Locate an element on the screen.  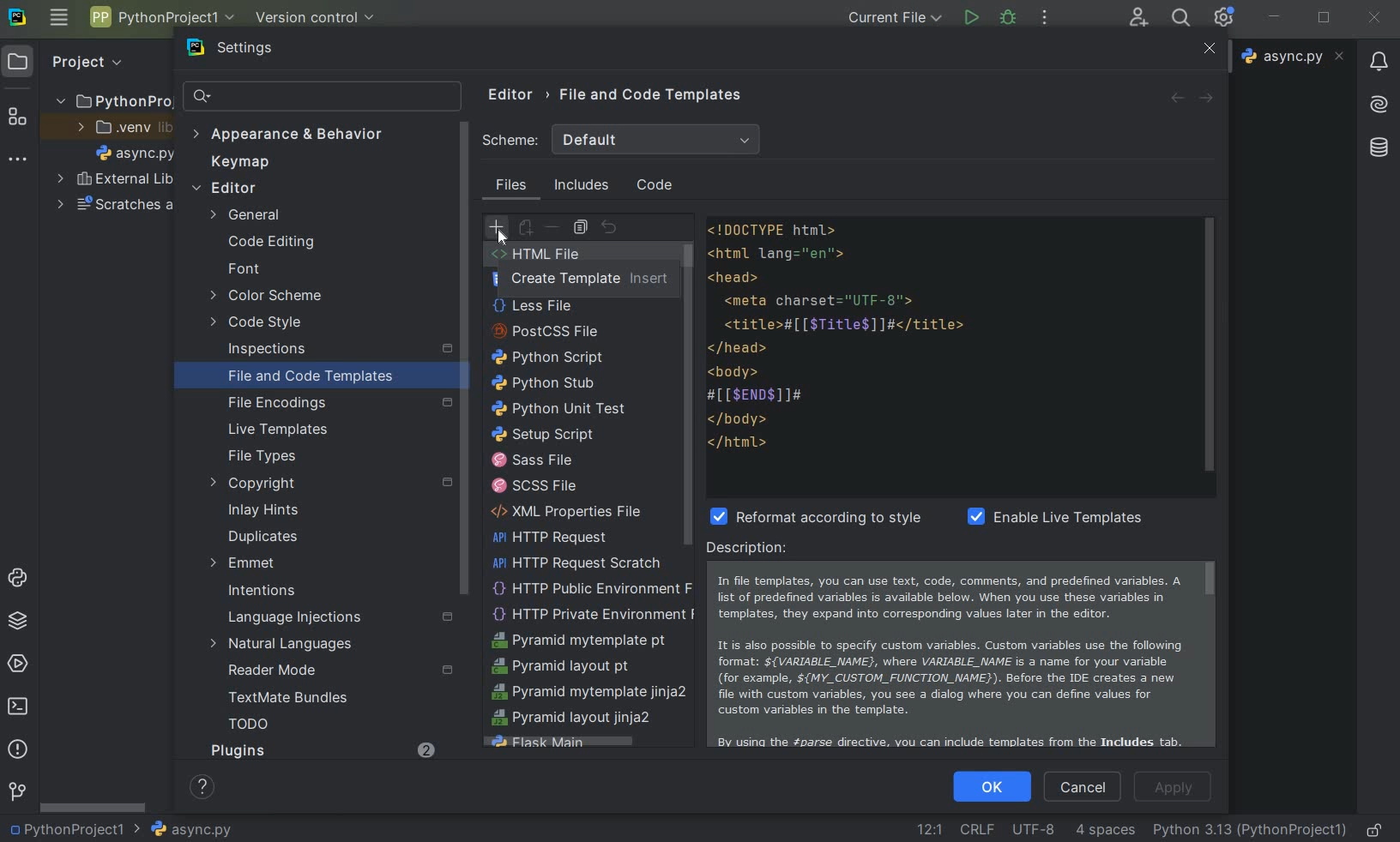
keymap is located at coordinates (238, 164).